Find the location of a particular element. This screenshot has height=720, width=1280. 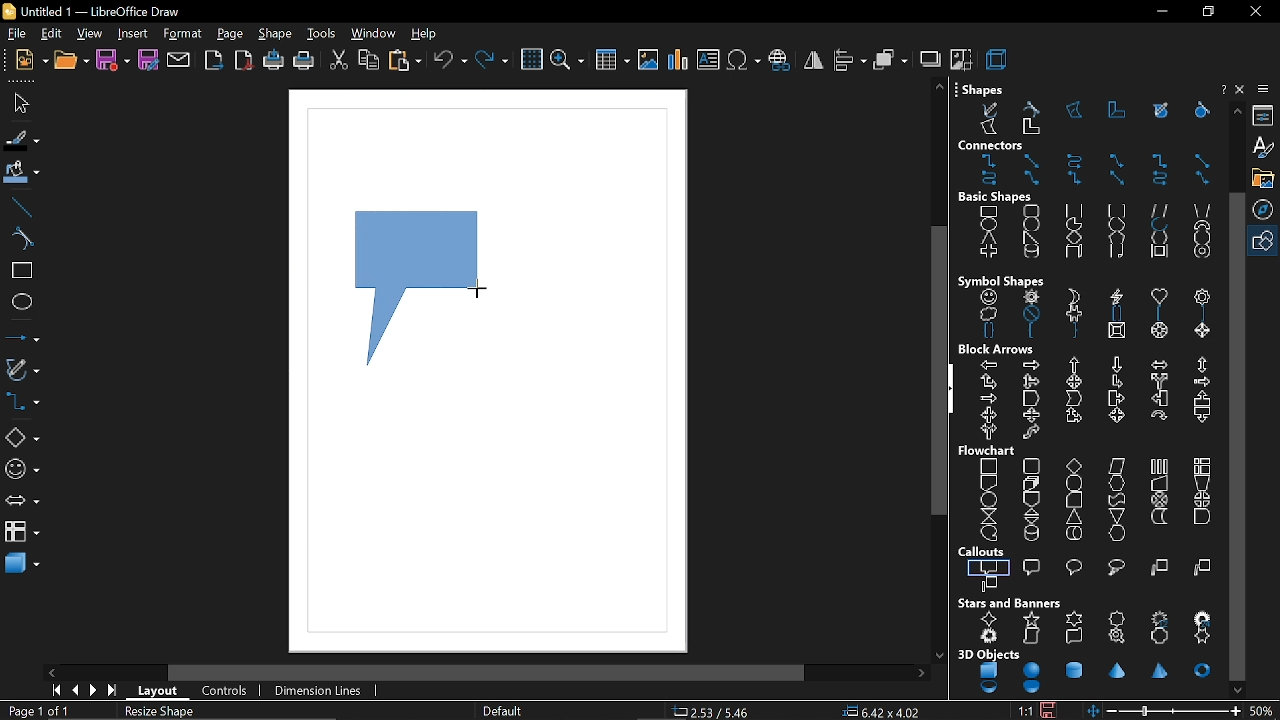

up arrow callout is located at coordinates (1199, 399).